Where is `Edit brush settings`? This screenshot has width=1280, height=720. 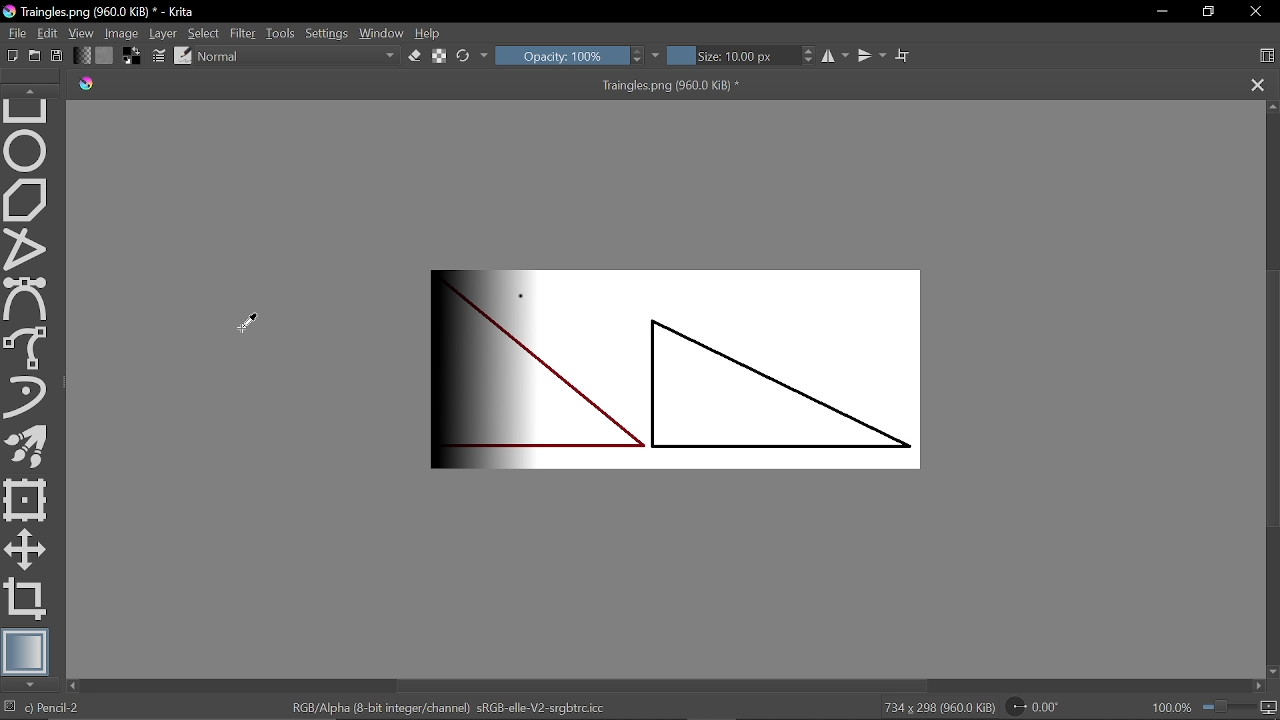 Edit brush settings is located at coordinates (157, 55).